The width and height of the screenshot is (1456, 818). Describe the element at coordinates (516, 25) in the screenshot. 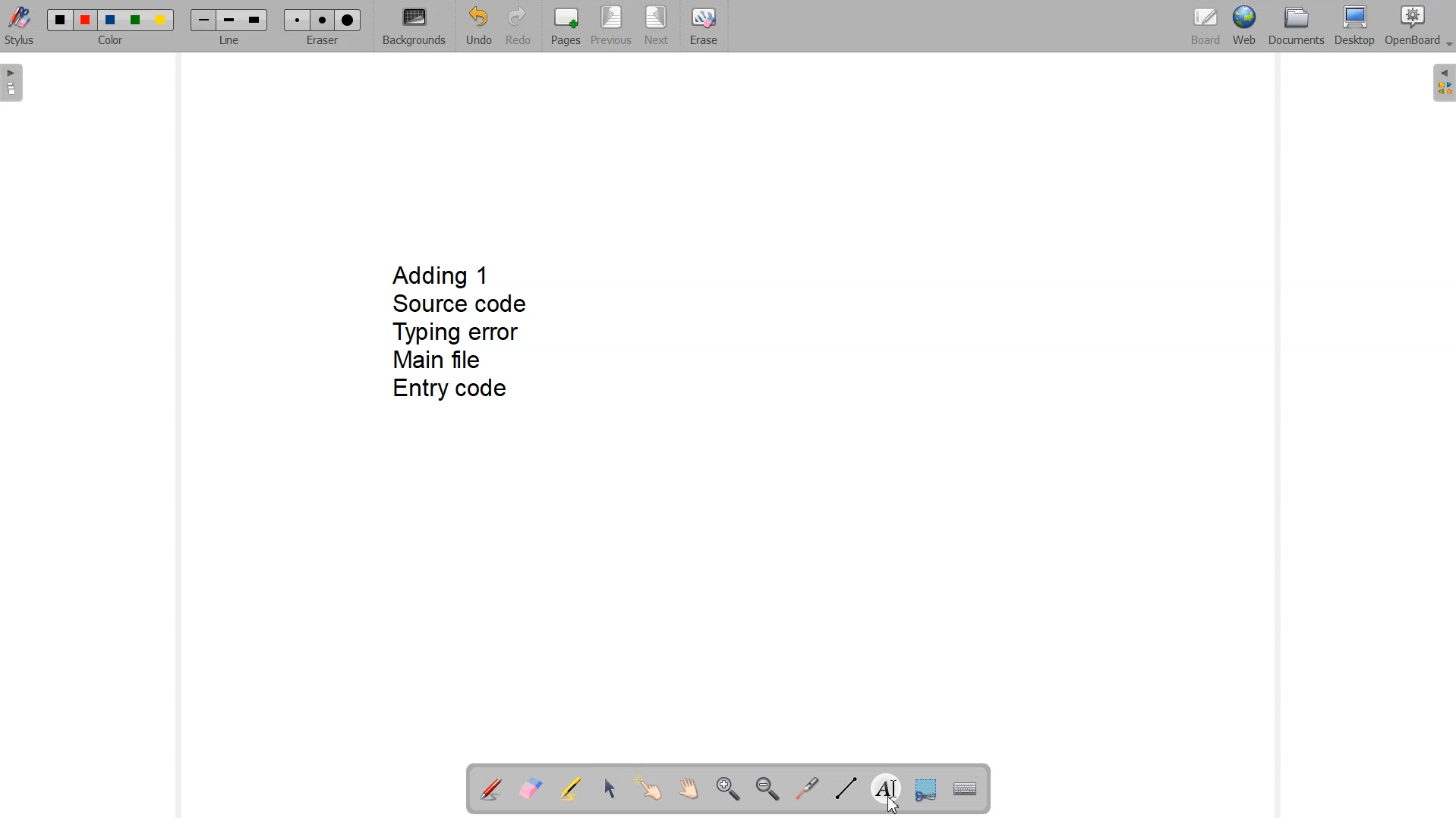

I see `Redo` at that location.